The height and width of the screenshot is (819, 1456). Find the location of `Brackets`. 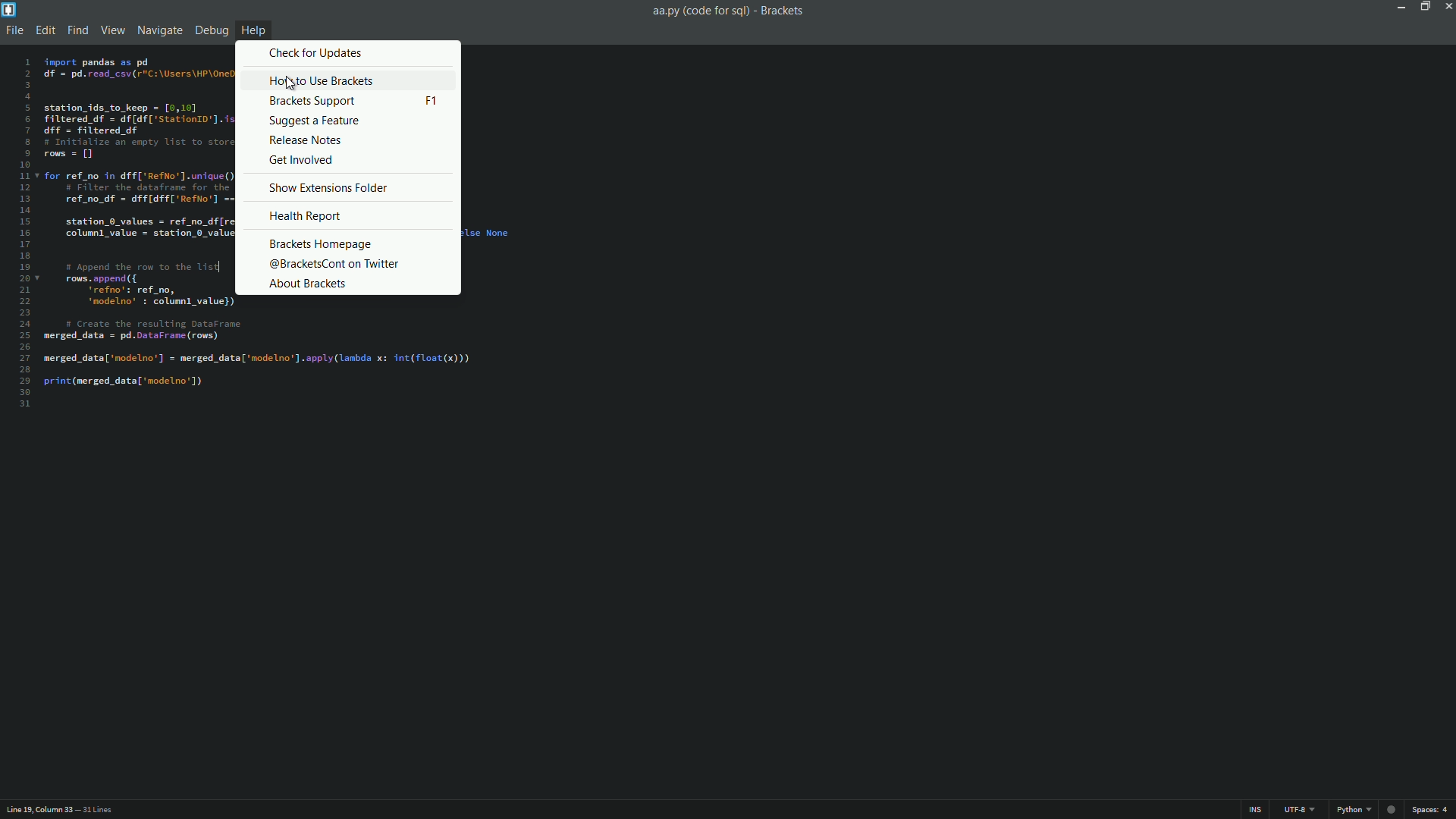

Brackets is located at coordinates (783, 10).